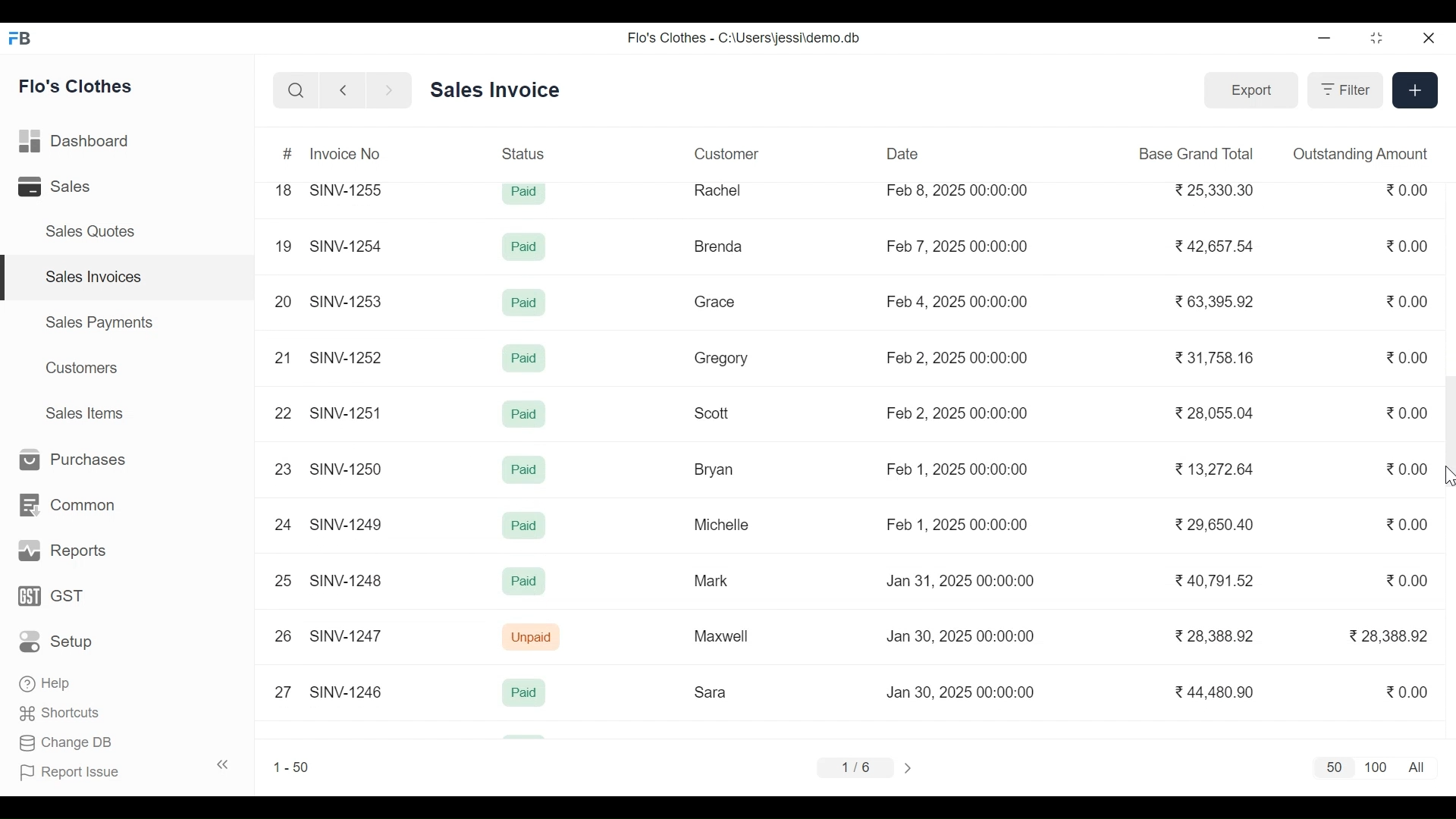 The height and width of the screenshot is (819, 1456). I want to click on Jan 30, 2025 00:00:00, so click(965, 636).